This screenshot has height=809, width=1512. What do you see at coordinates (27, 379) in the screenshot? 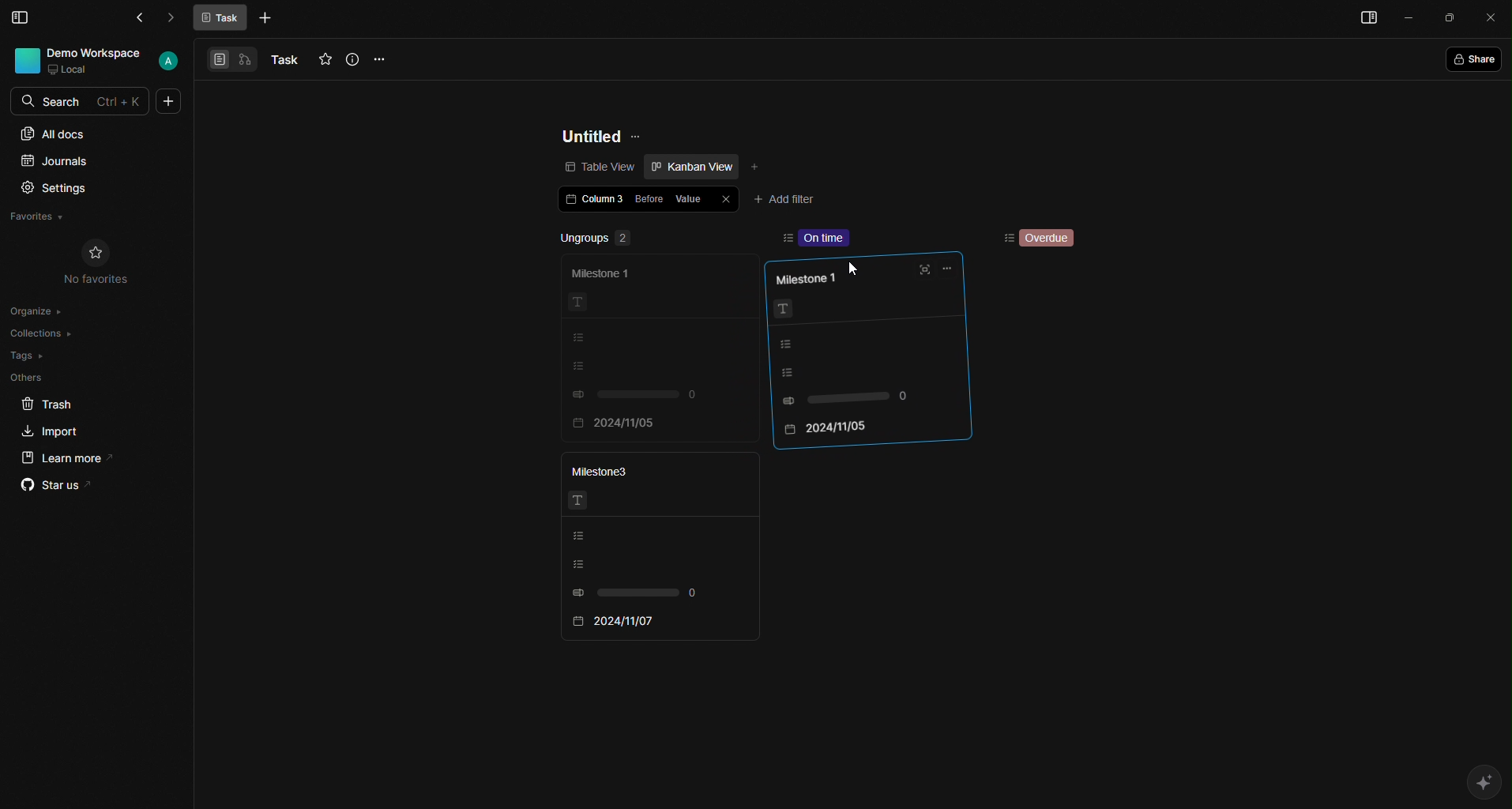
I see `Others` at bounding box center [27, 379].